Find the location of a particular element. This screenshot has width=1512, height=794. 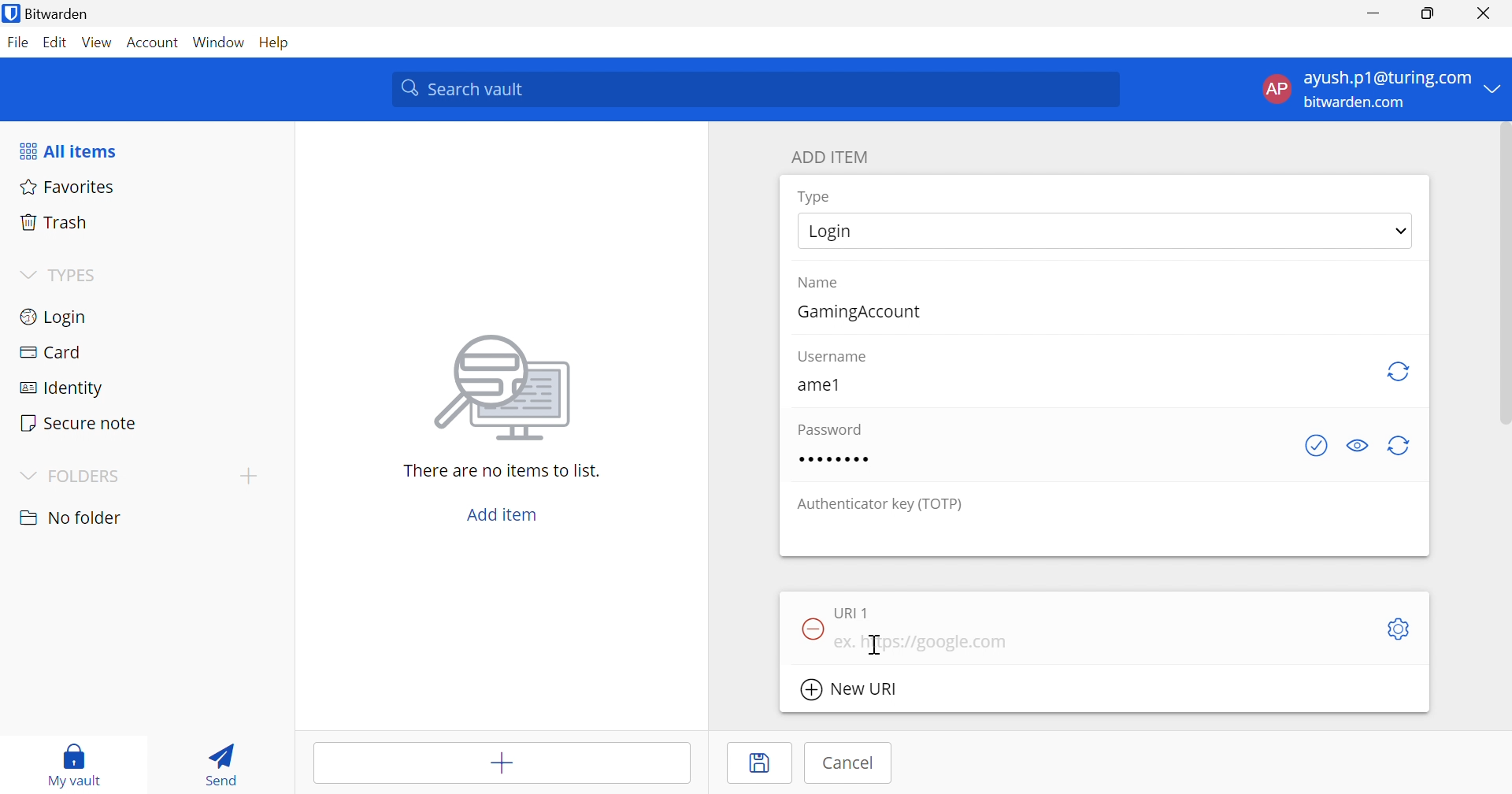

ame1 is located at coordinates (817, 384).